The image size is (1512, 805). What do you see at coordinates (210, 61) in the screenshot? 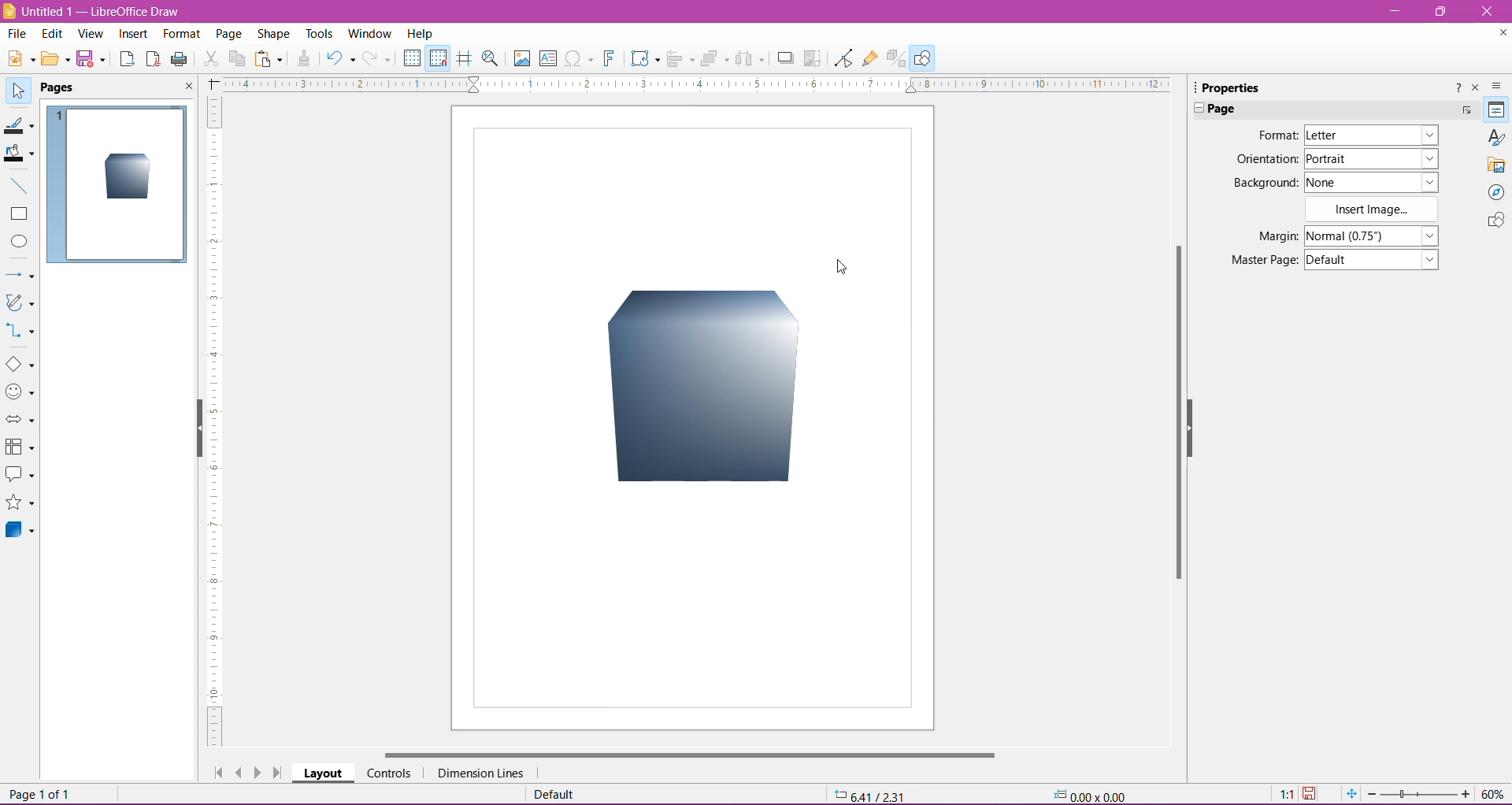
I see `Cut` at bounding box center [210, 61].